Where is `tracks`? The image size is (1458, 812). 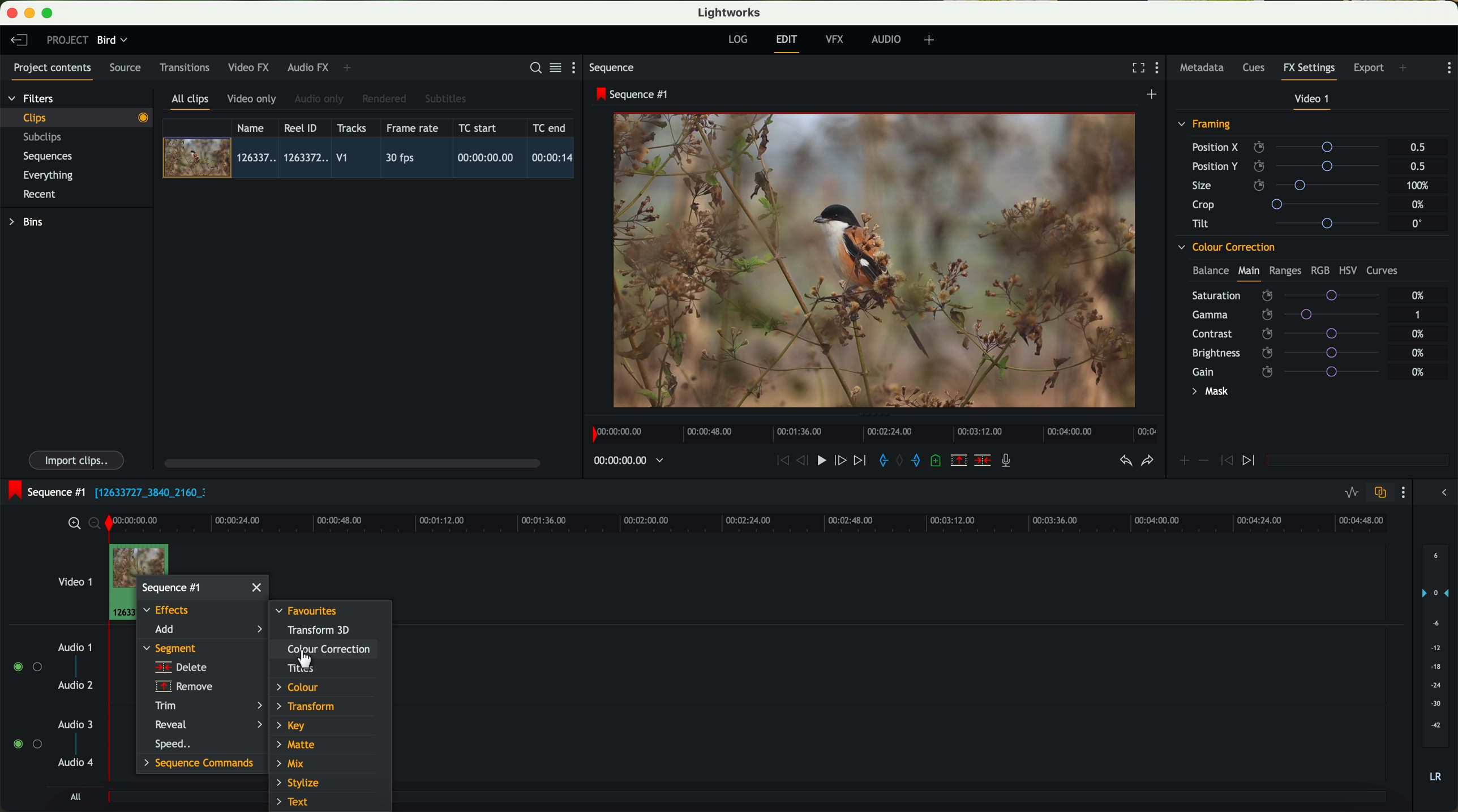 tracks is located at coordinates (350, 128).